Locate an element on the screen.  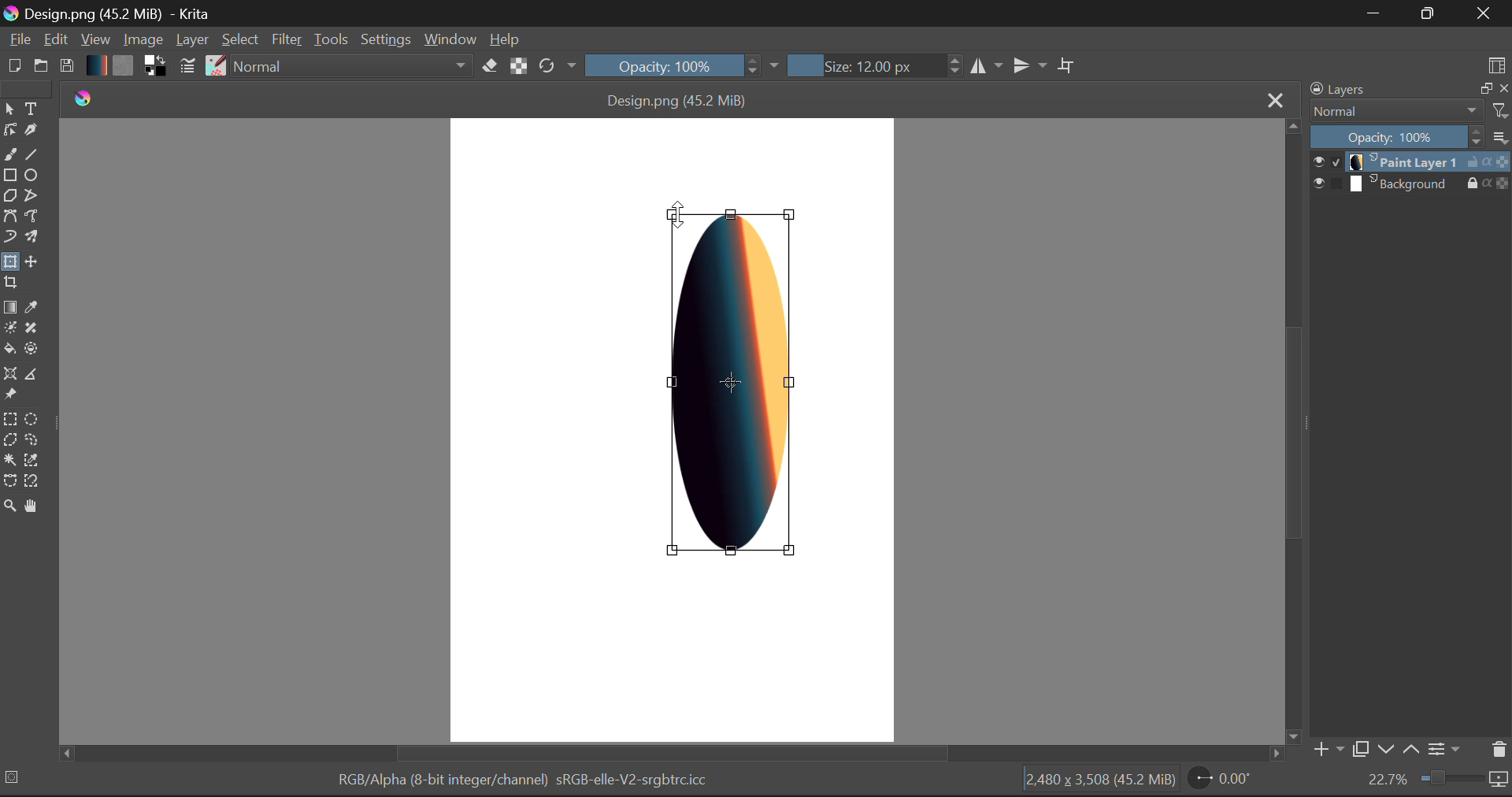
Tools is located at coordinates (331, 38).